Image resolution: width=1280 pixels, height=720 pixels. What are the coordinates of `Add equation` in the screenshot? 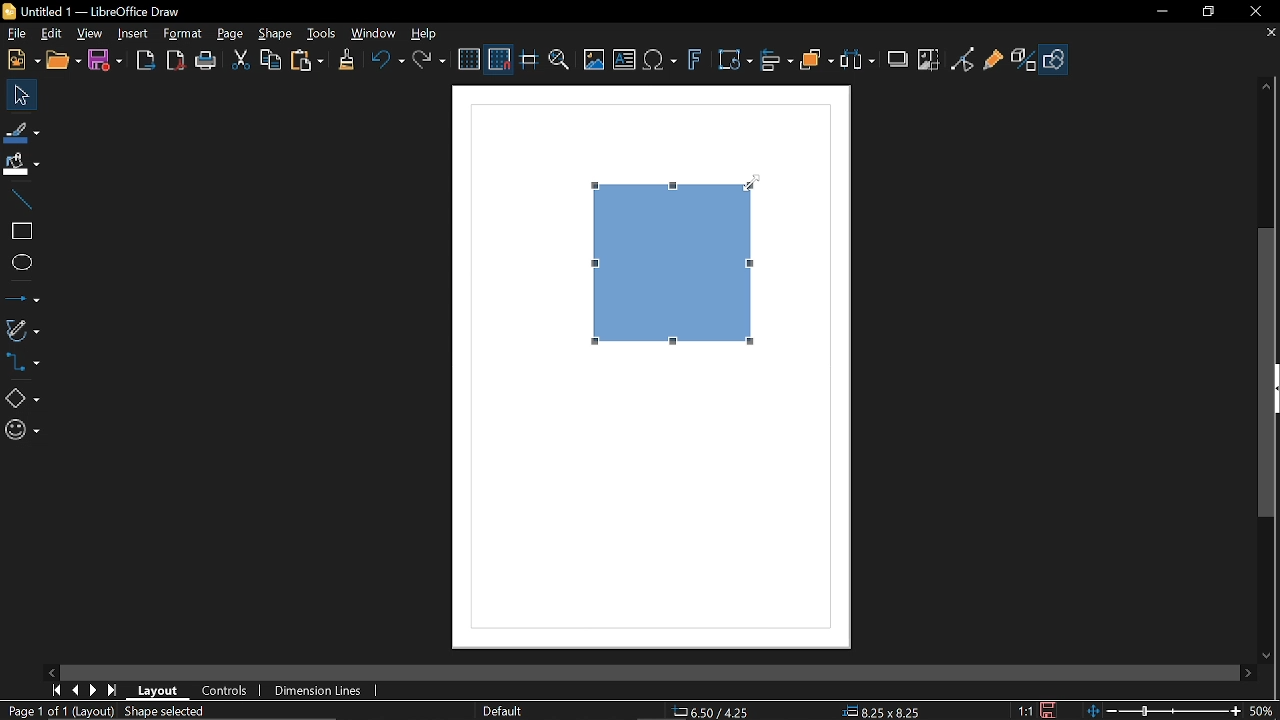 It's located at (662, 62).